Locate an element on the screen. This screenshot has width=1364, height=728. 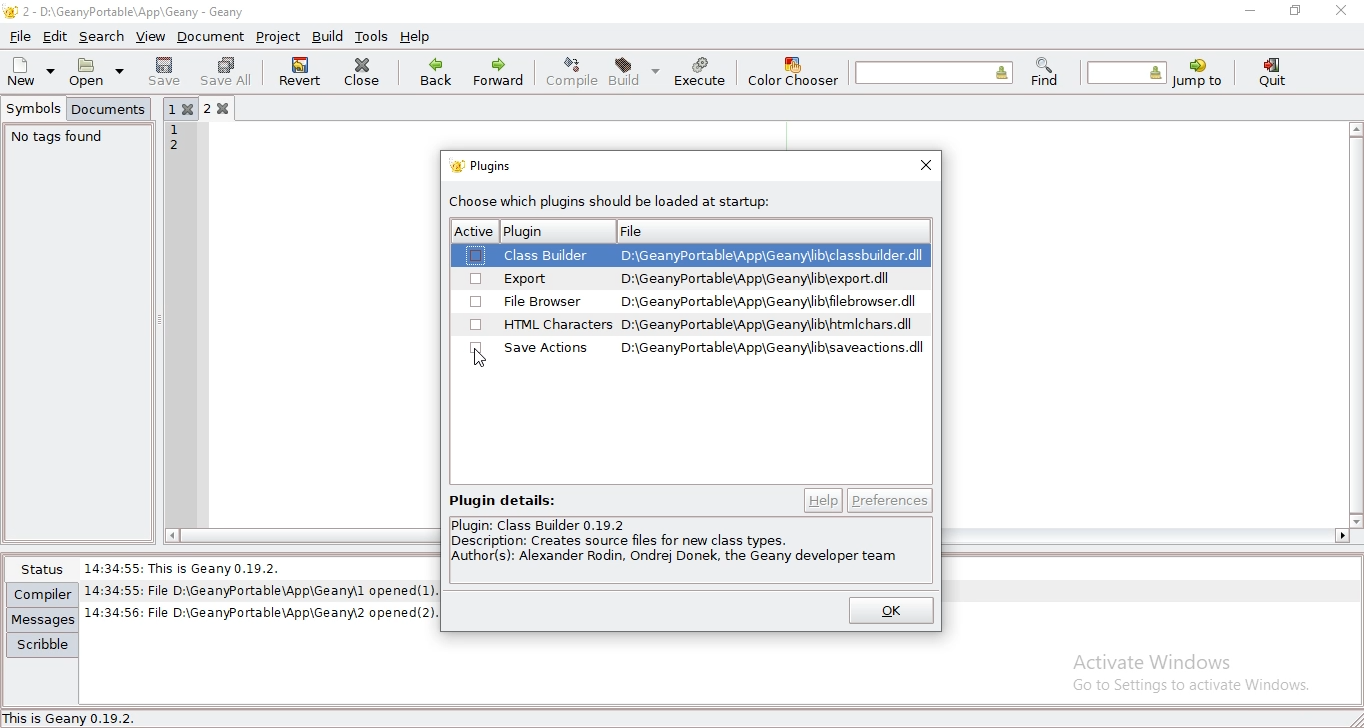
jump to the entered line number is located at coordinates (1127, 73).